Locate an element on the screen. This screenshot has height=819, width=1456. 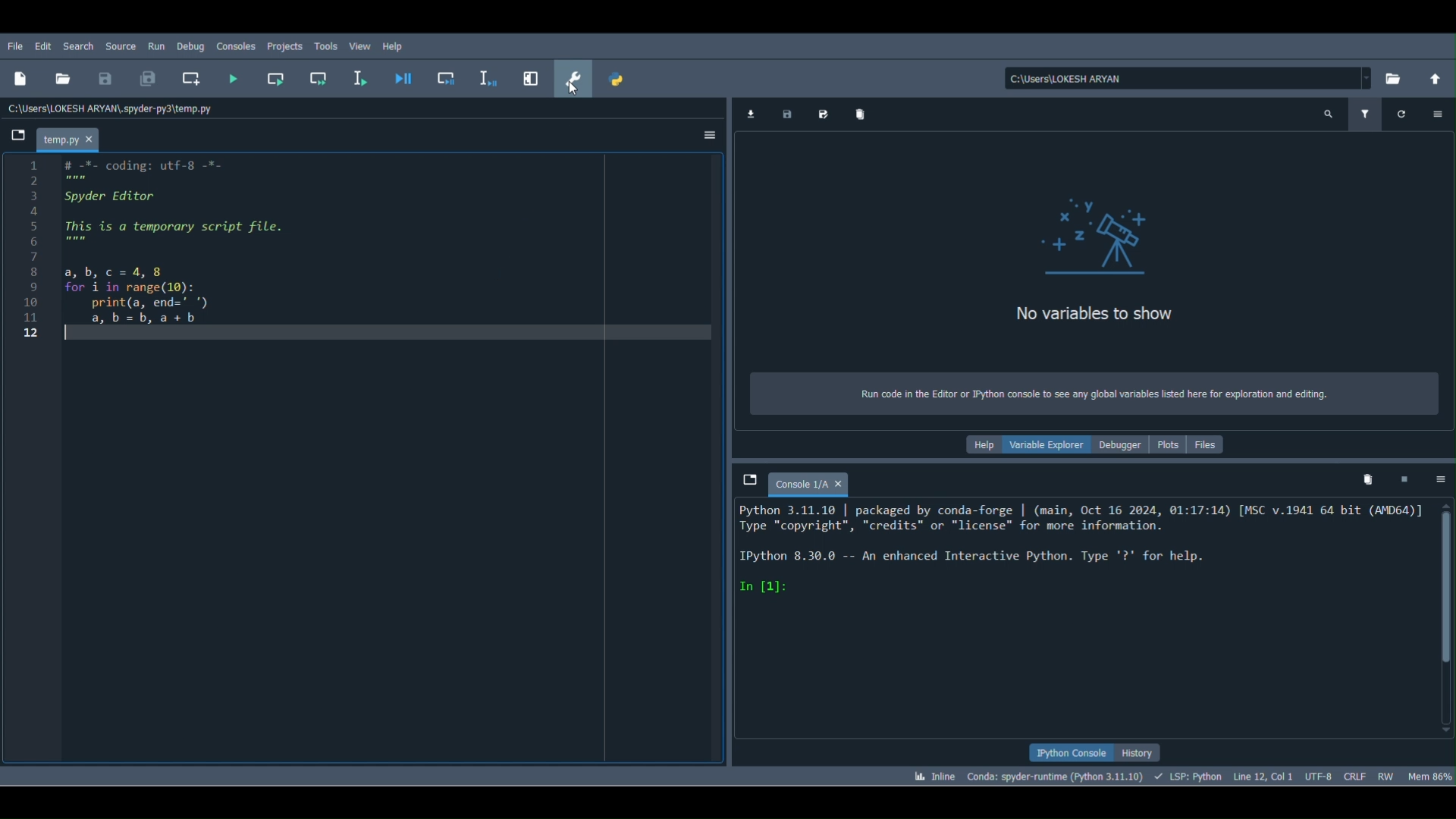
Refresh variables(Ctrl + R) is located at coordinates (1405, 112).